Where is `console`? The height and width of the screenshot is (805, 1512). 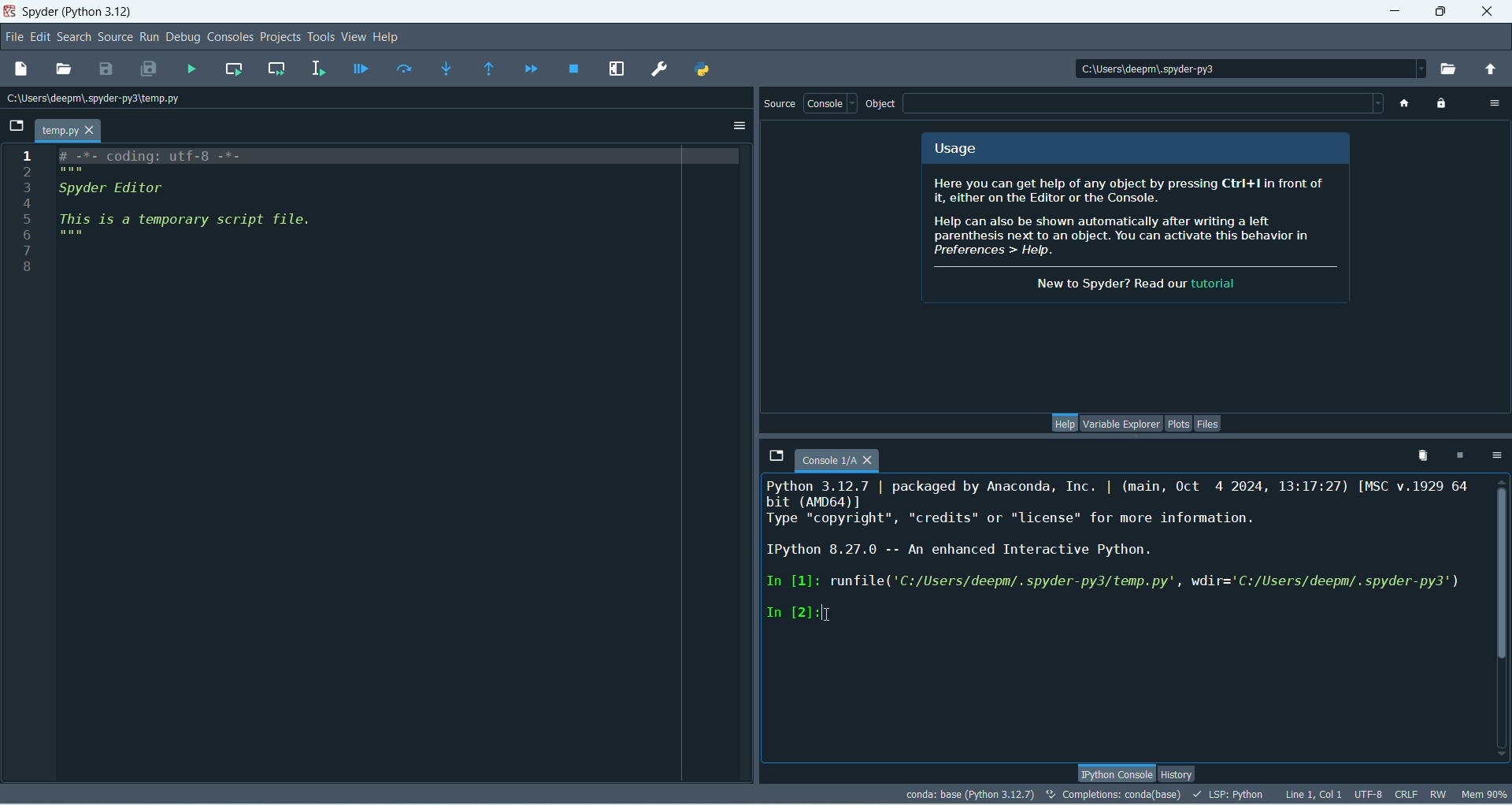 console is located at coordinates (831, 102).